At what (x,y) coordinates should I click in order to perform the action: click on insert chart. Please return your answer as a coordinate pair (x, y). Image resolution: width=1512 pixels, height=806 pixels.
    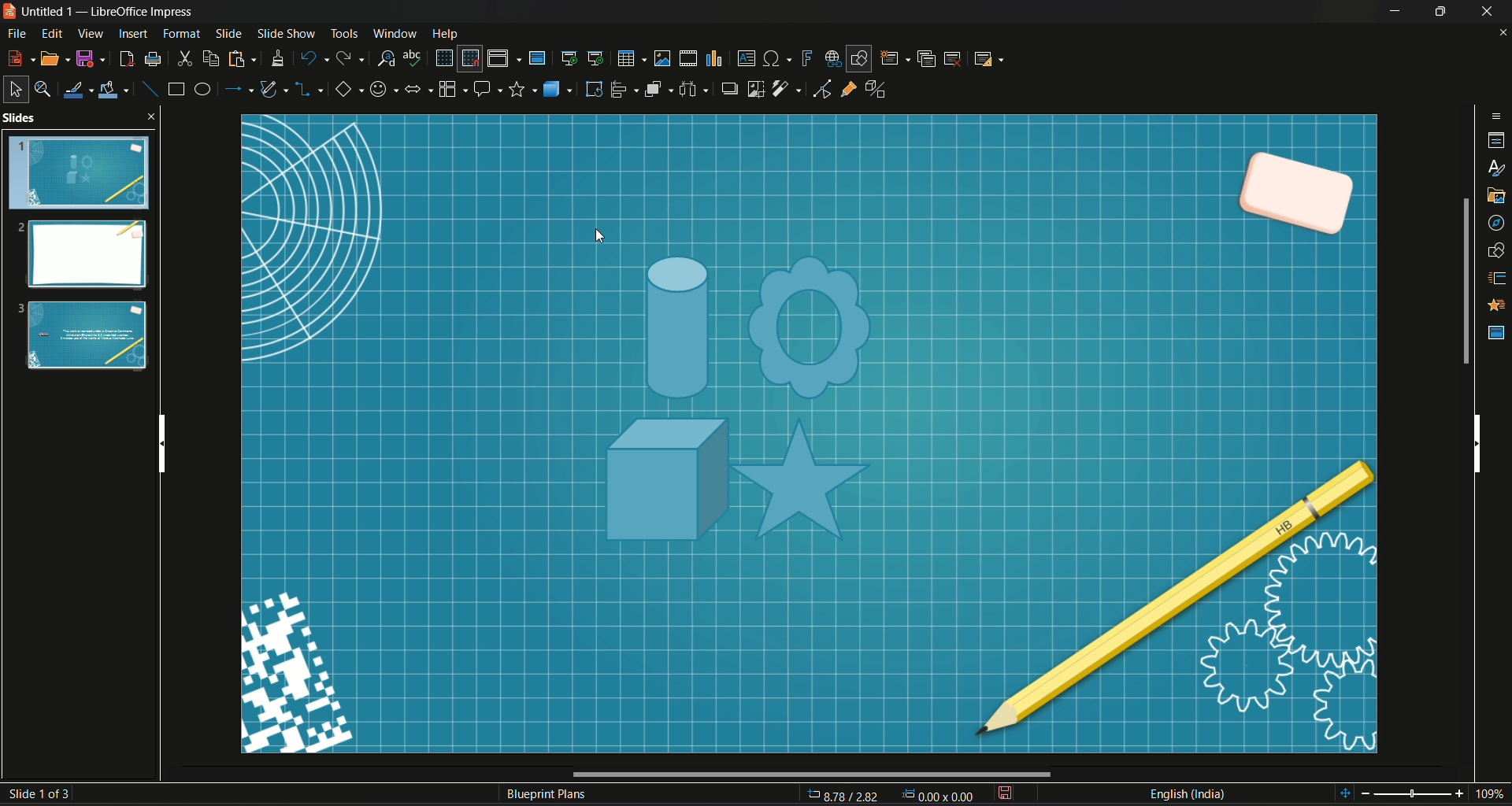
    Looking at the image, I should click on (713, 59).